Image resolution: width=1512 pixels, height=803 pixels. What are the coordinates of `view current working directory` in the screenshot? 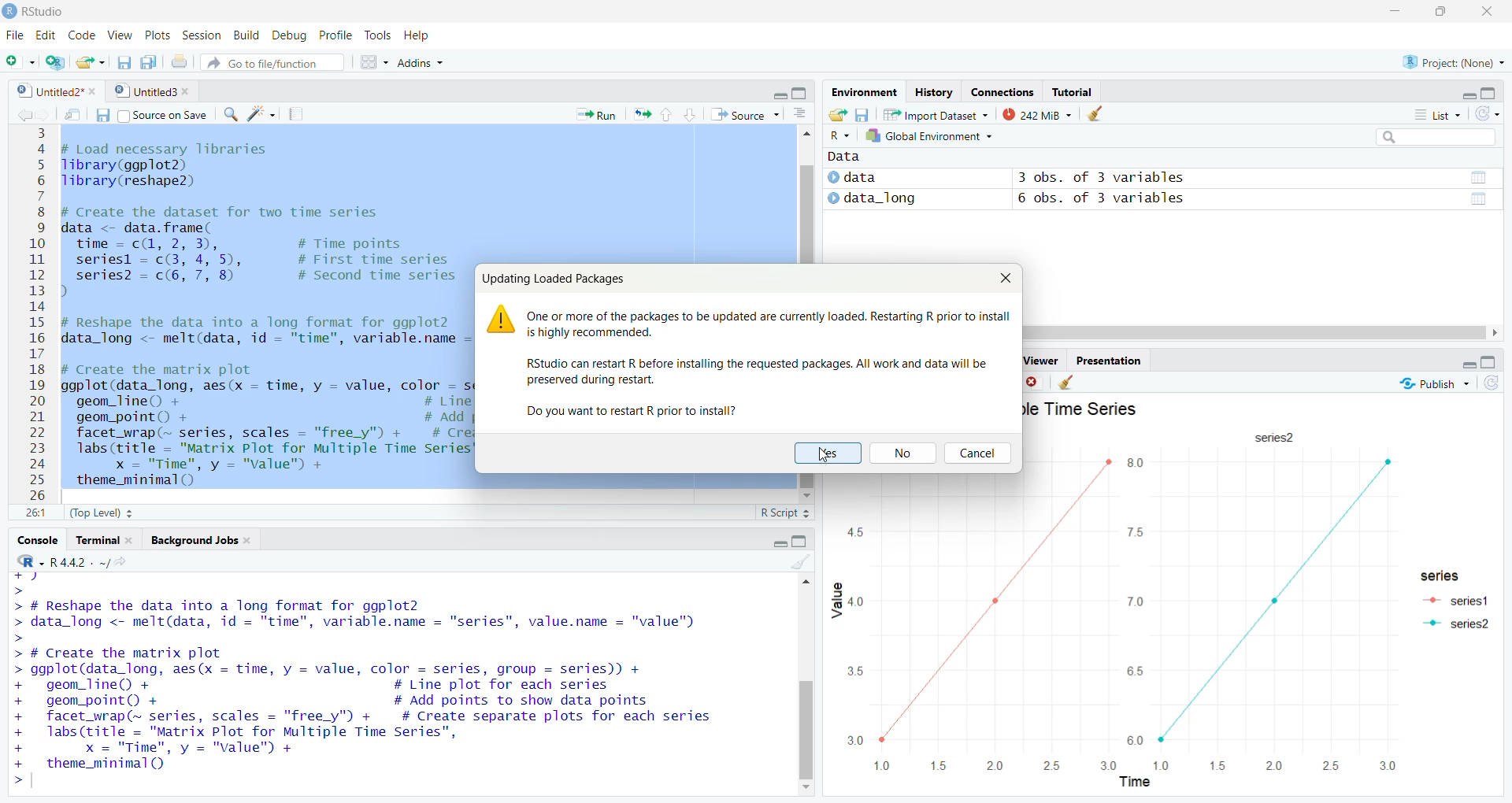 It's located at (120, 561).